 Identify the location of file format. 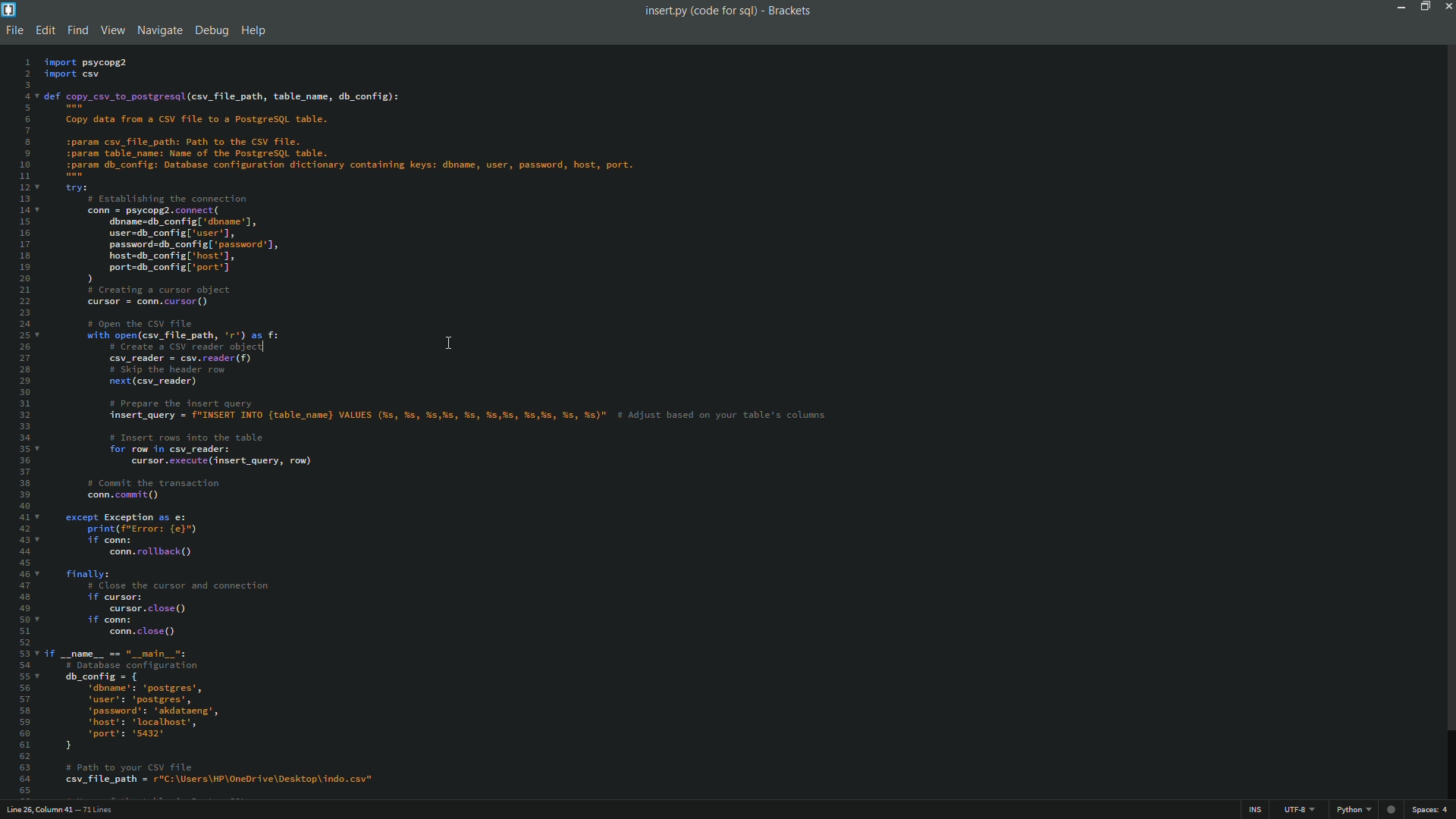
(1354, 811).